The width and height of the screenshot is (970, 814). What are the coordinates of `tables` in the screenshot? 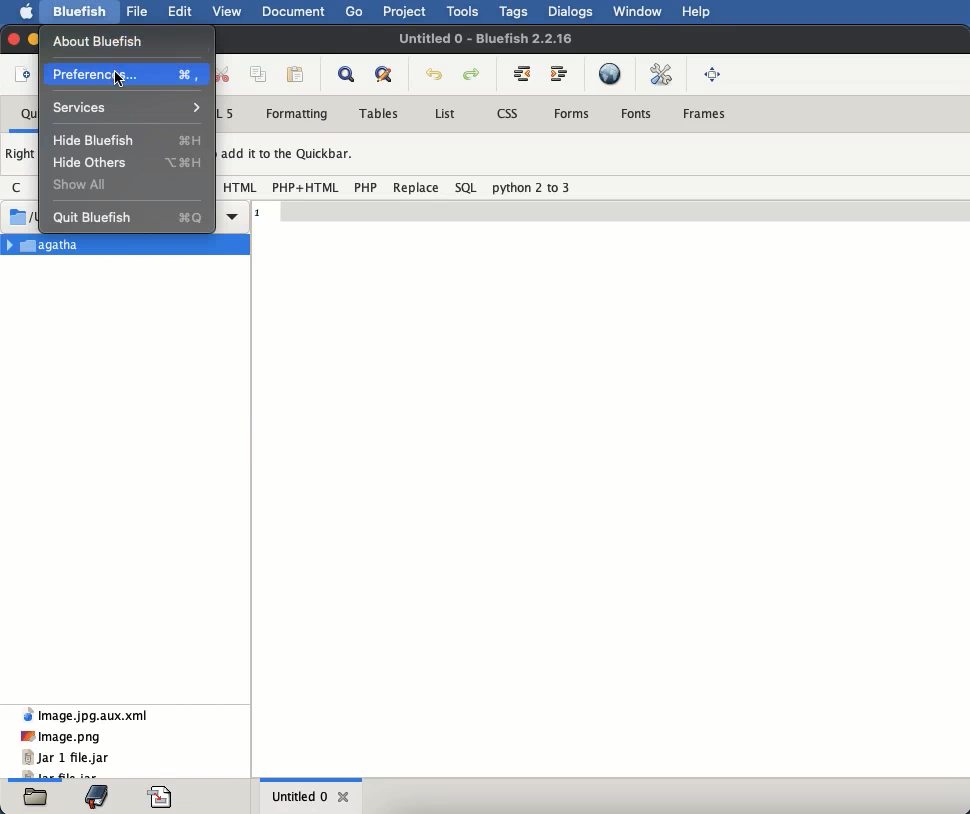 It's located at (384, 113).